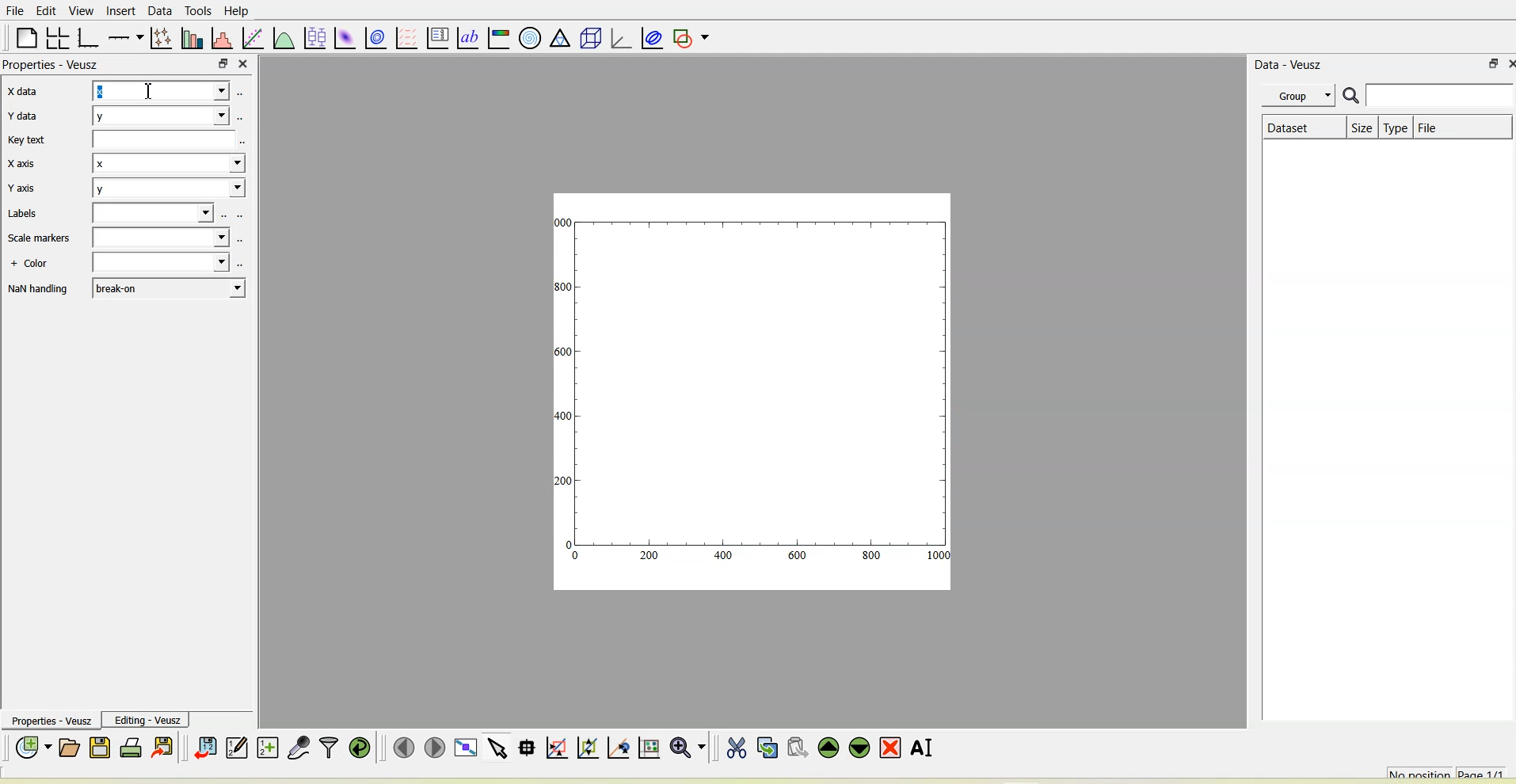 Image resolution: width=1516 pixels, height=784 pixels. What do you see at coordinates (146, 720) in the screenshot?
I see `Editing-Veusz` at bounding box center [146, 720].